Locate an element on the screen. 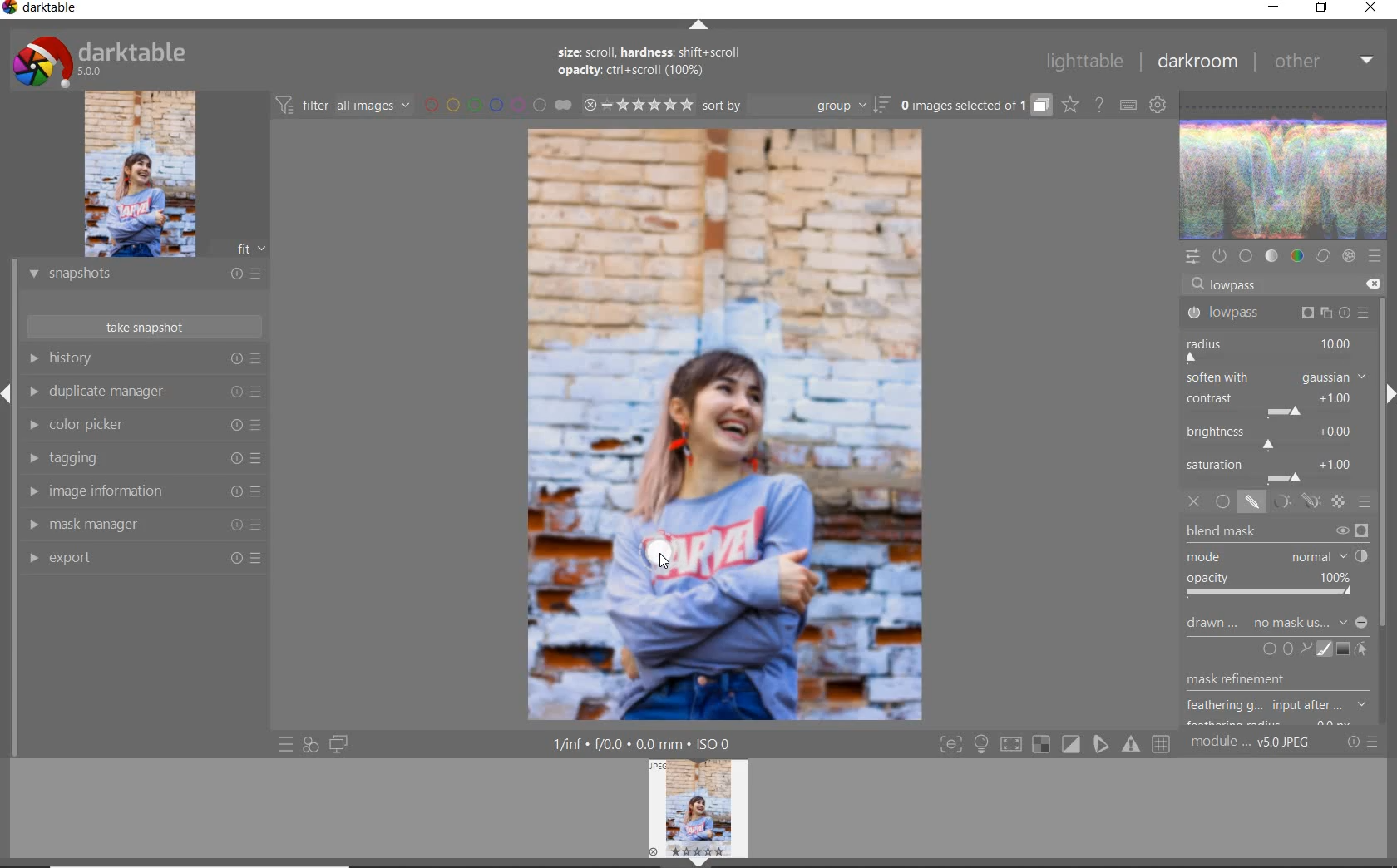  color is located at coordinates (1296, 257).